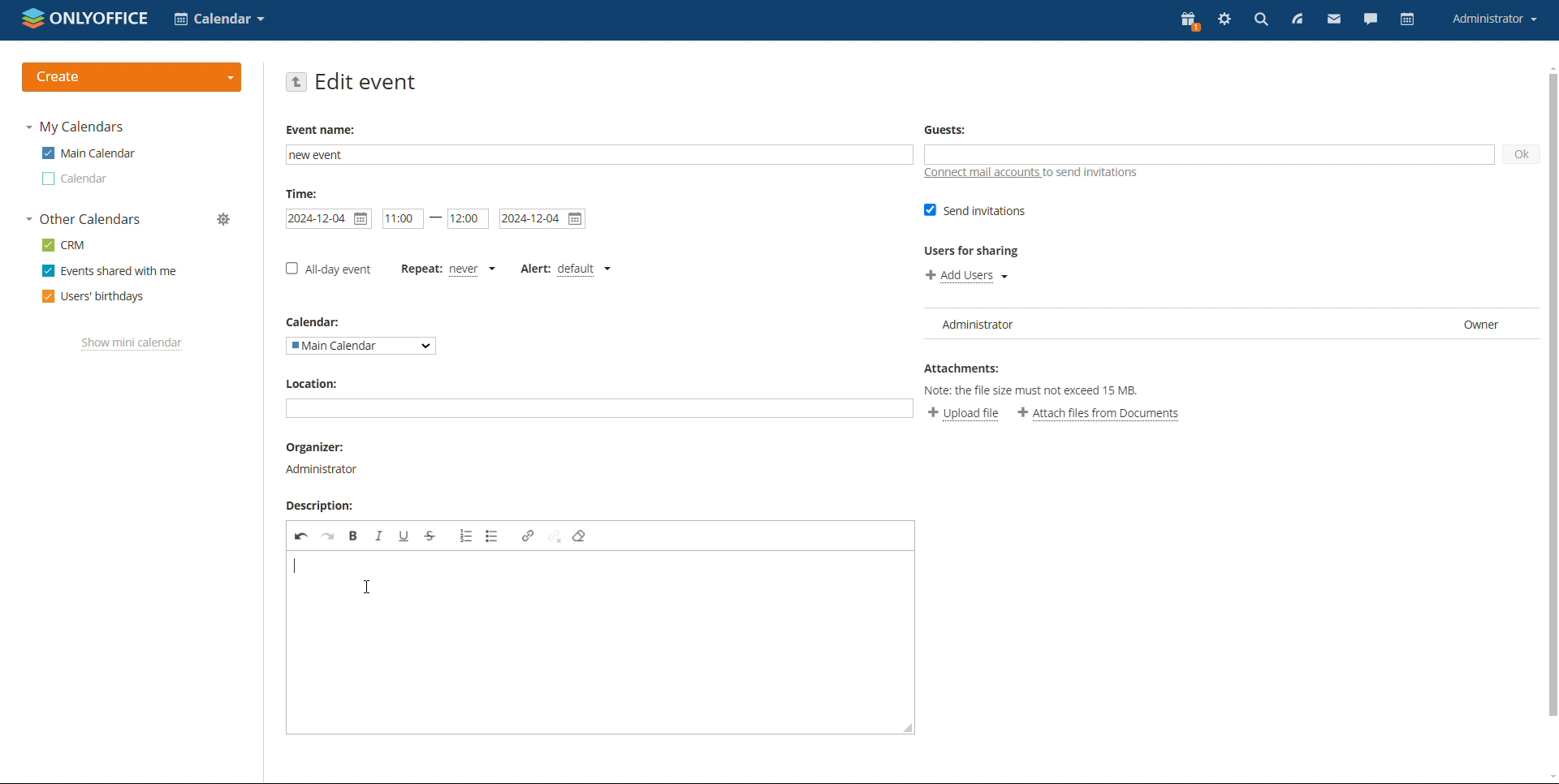 The width and height of the screenshot is (1559, 784). What do you see at coordinates (1189, 21) in the screenshot?
I see `present` at bounding box center [1189, 21].